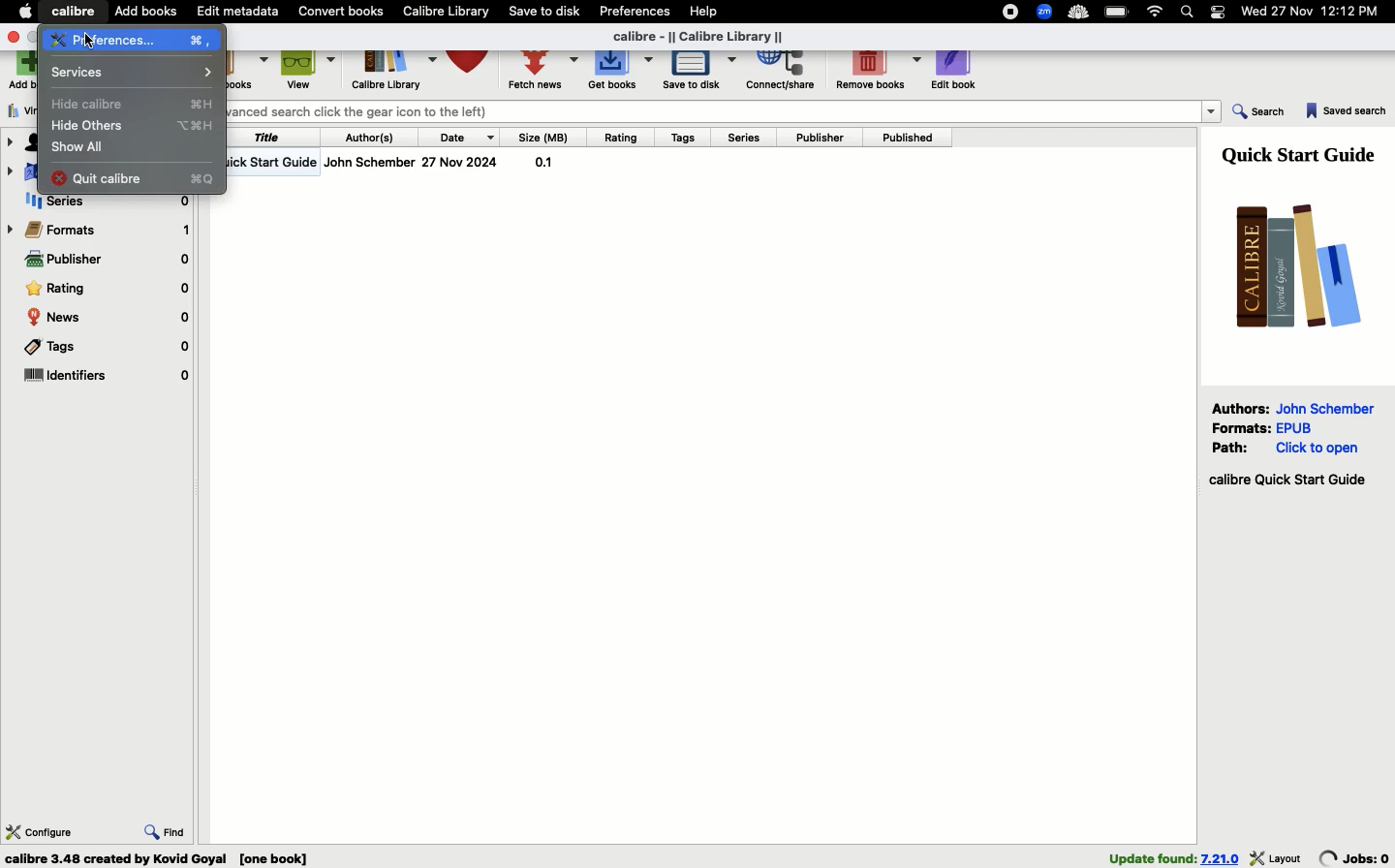 The image size is (1395, 868). Describe the element at coordinates (371, 163) in the screenshot. I see `Author ` at that location.